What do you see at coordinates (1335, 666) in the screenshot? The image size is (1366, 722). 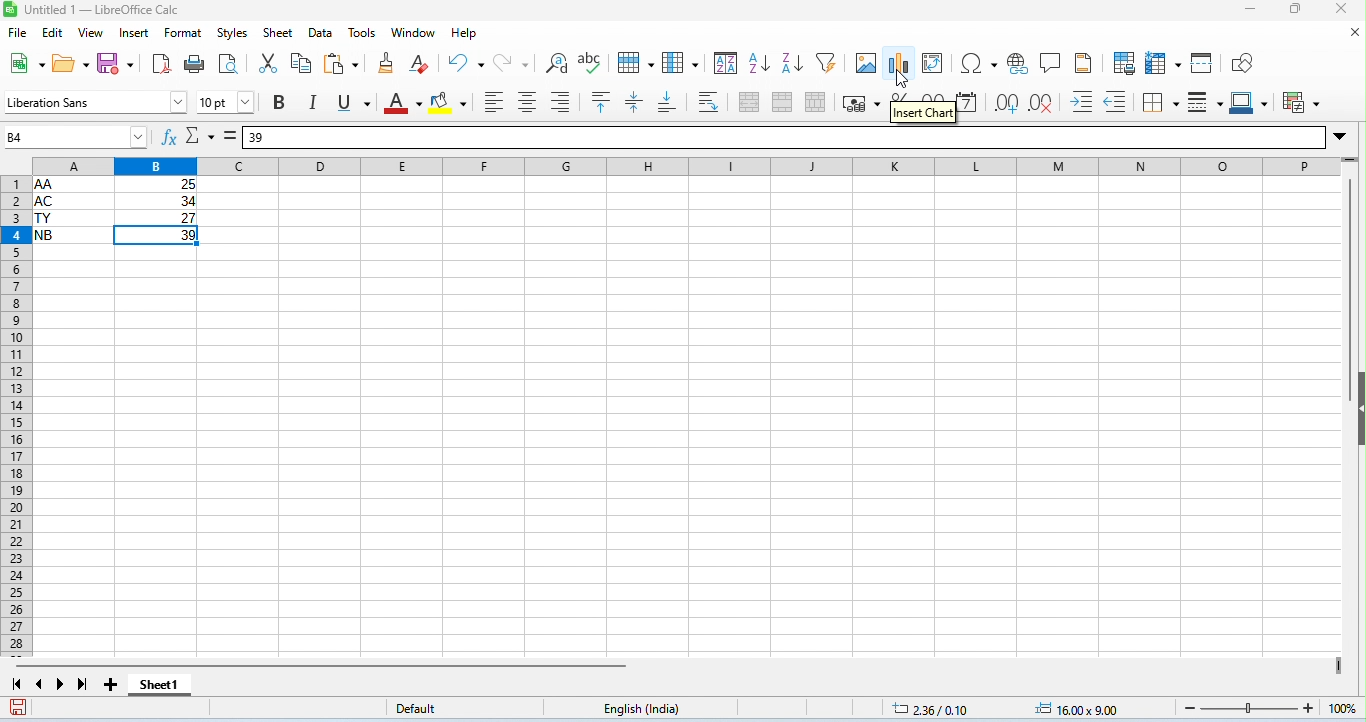 I see `drag to view more columns` at bounding box center [1335, 666].